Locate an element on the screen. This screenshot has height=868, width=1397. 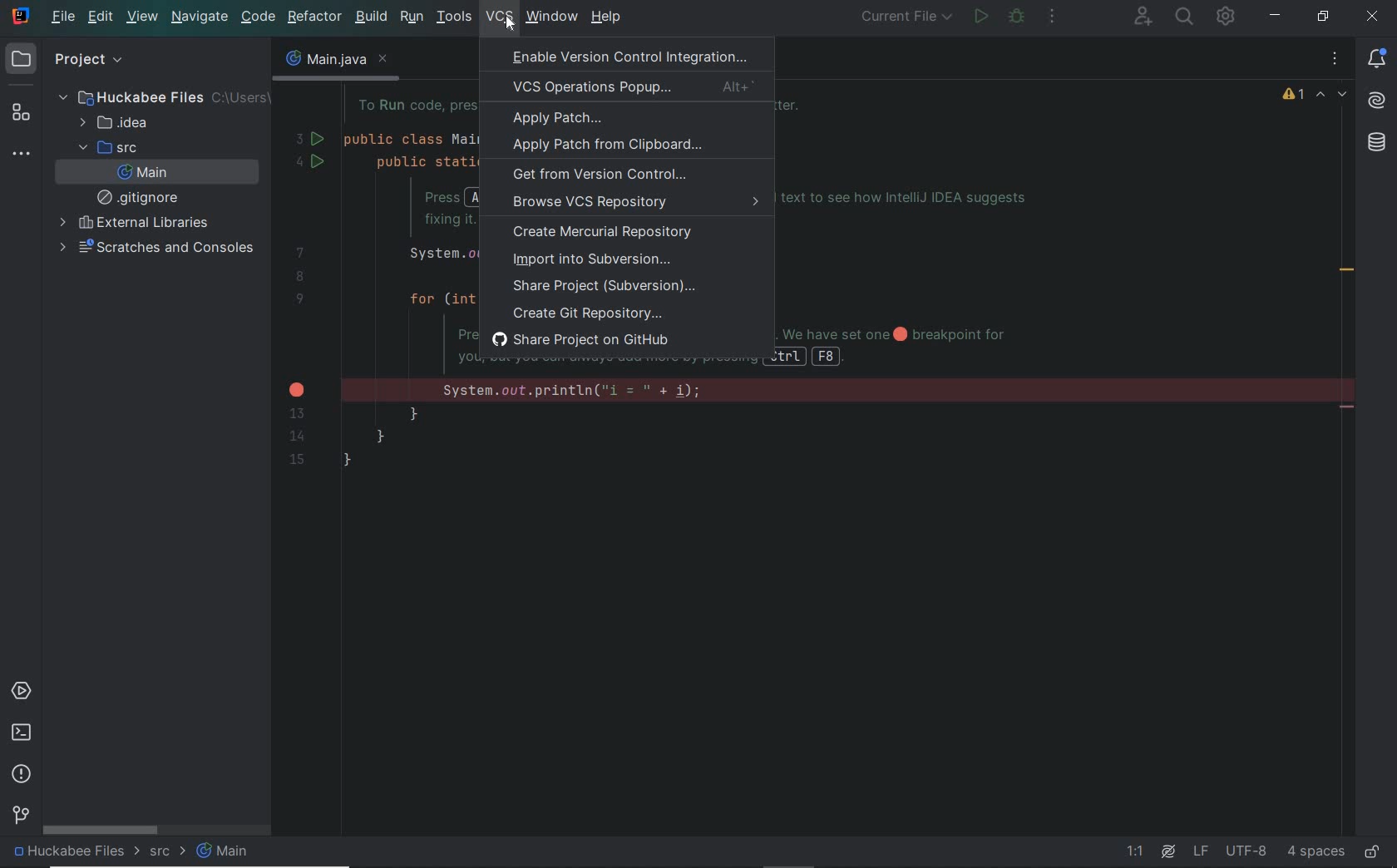
main is located at coordinates (143, 173).